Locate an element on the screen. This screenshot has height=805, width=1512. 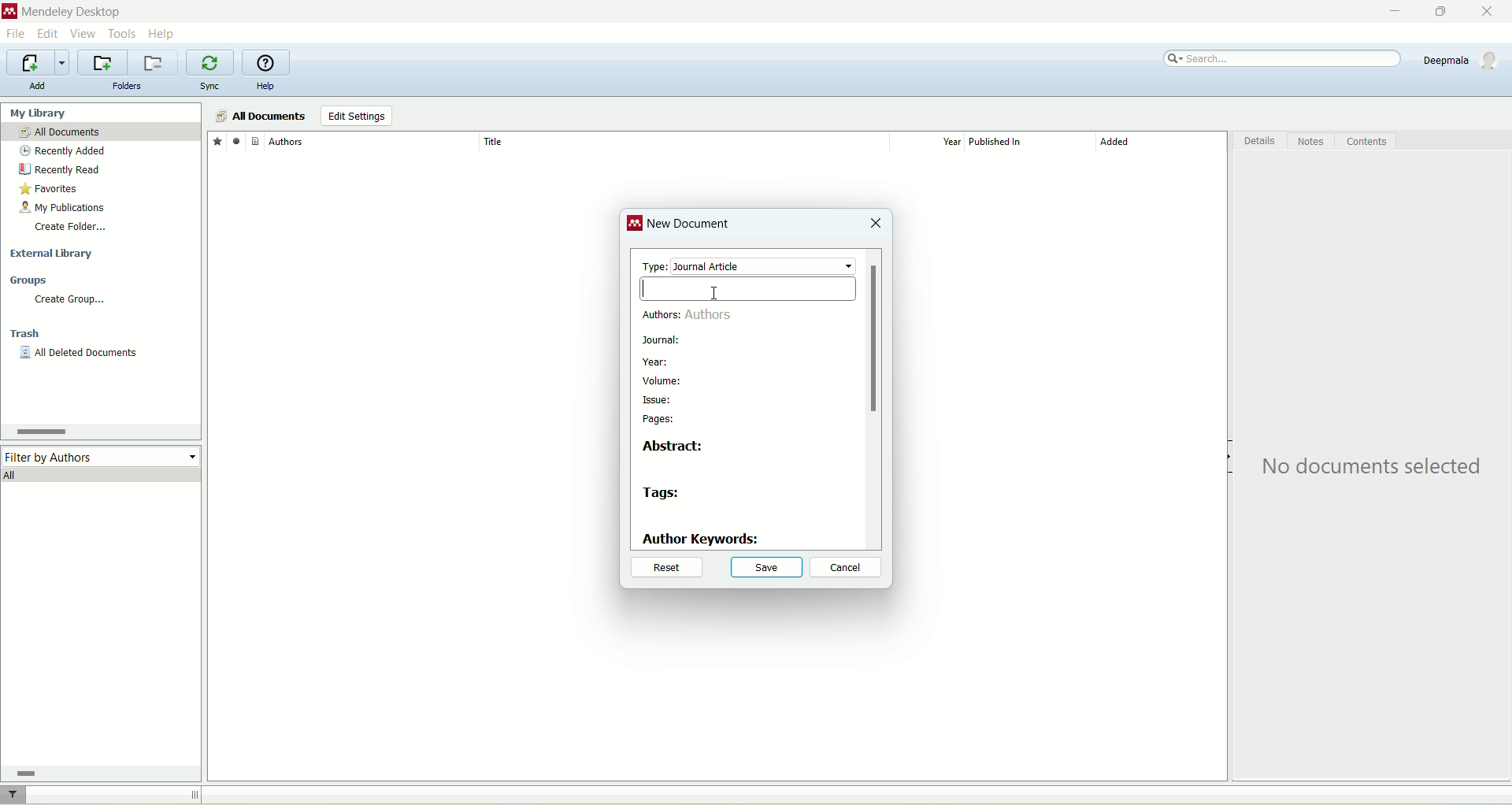
year is located at coordinates (655, 363).